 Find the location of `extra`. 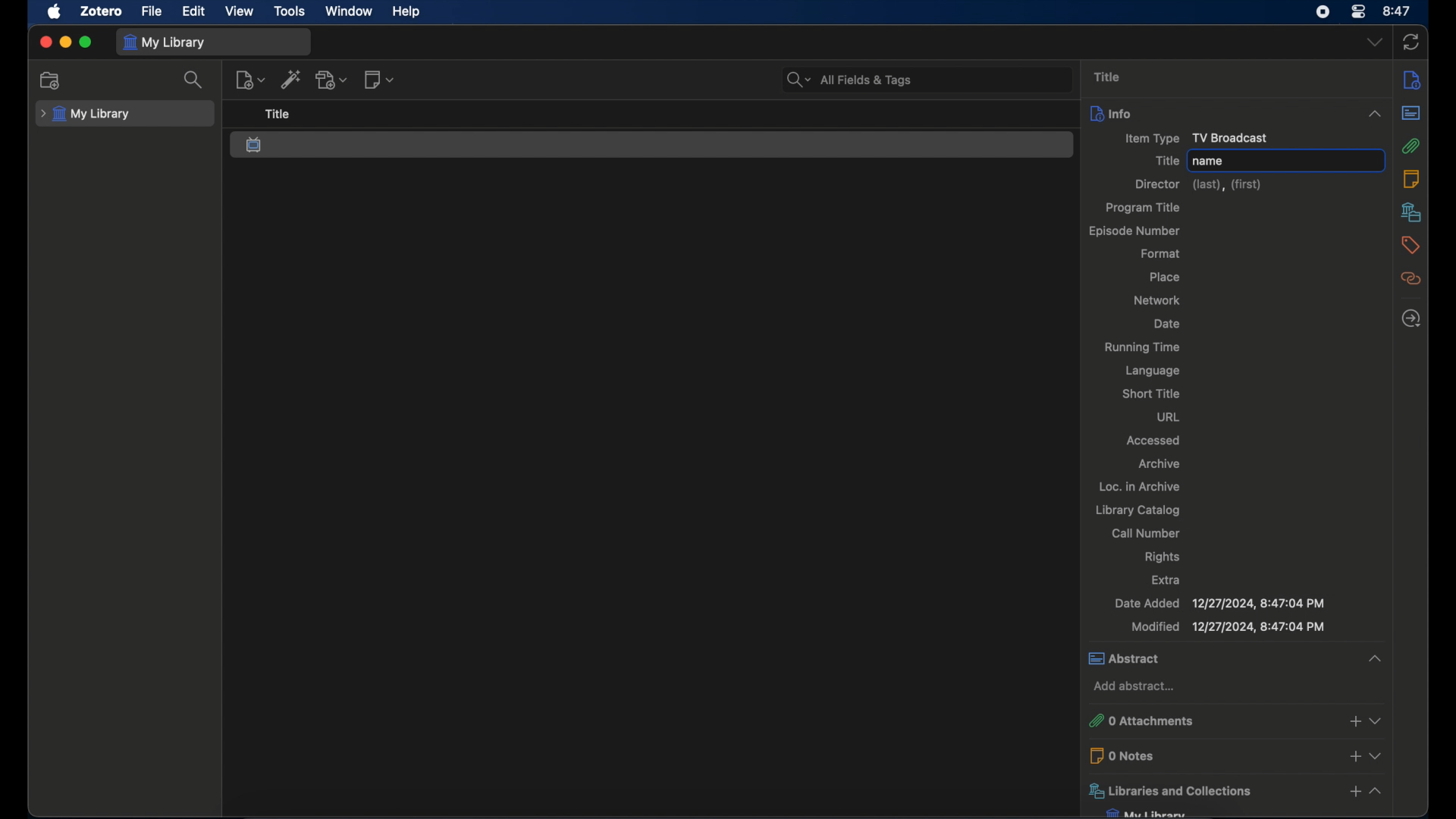

extra is located at coordinates (1165, 579).